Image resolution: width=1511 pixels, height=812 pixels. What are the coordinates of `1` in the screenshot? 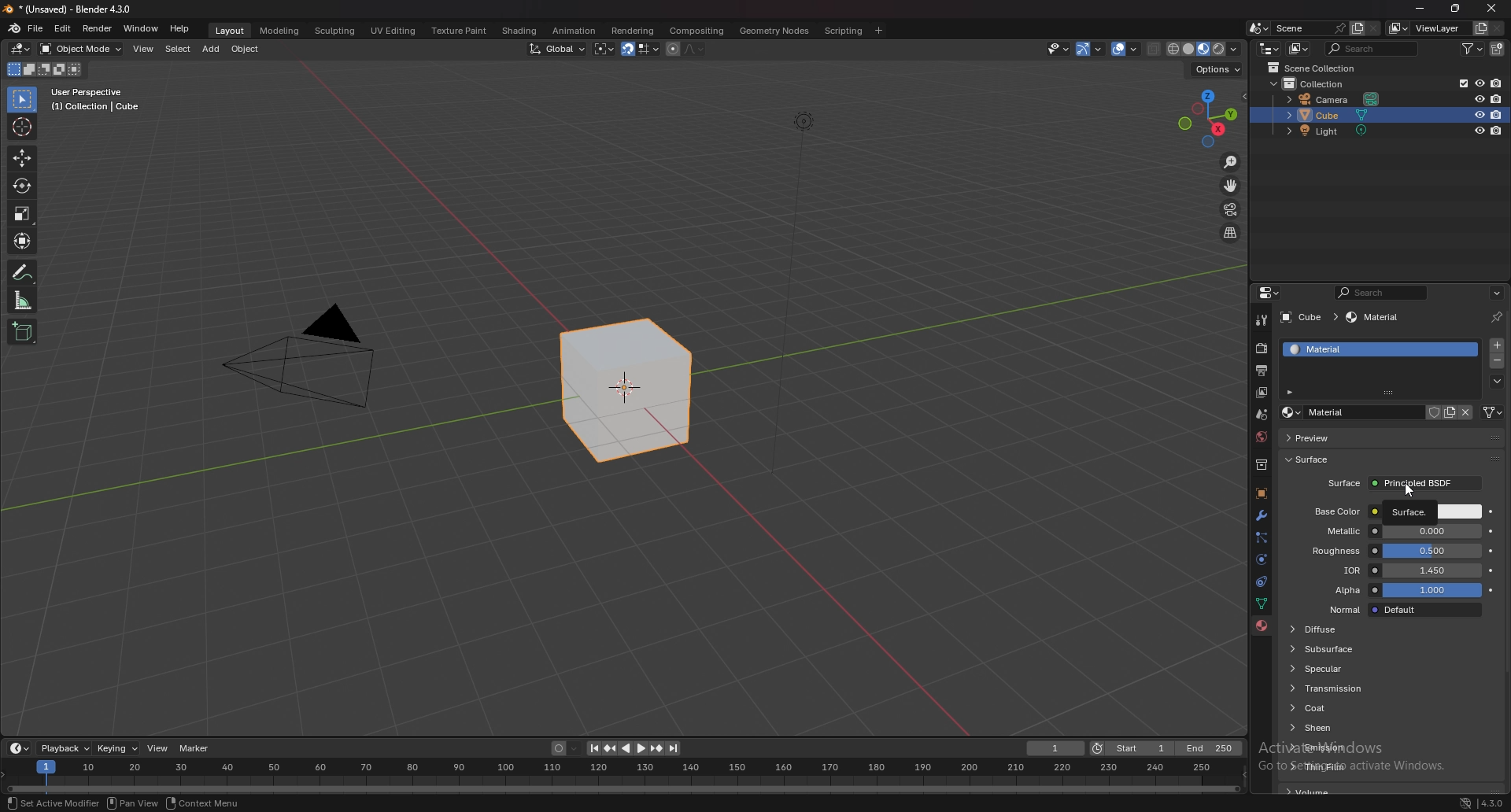 It's located at (1056, 748).